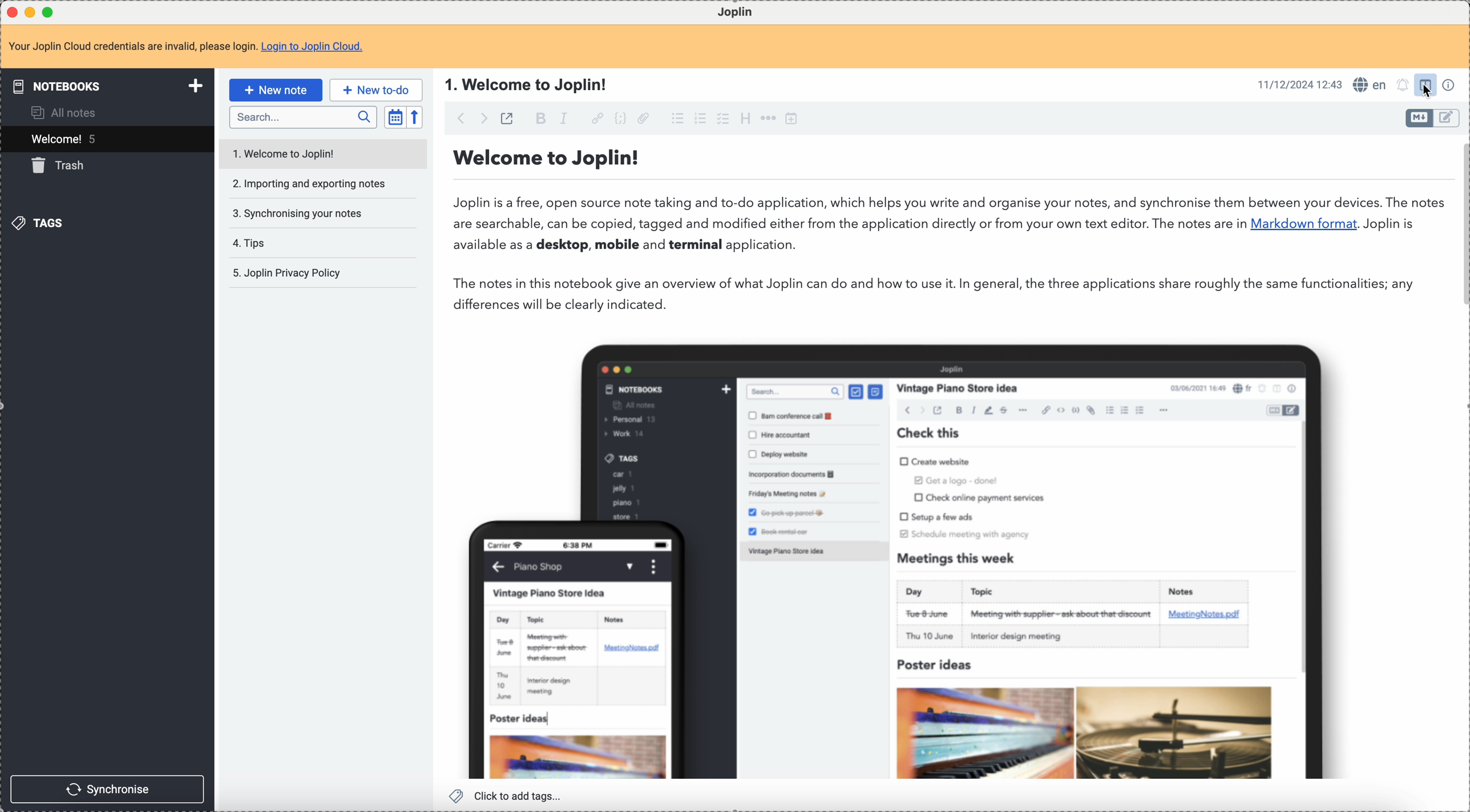 Image resolution: width=1470 pixels, height=812 pixels. Describe the element at coordinates (10, 11) in the screenshot. I see `close program` at that location.